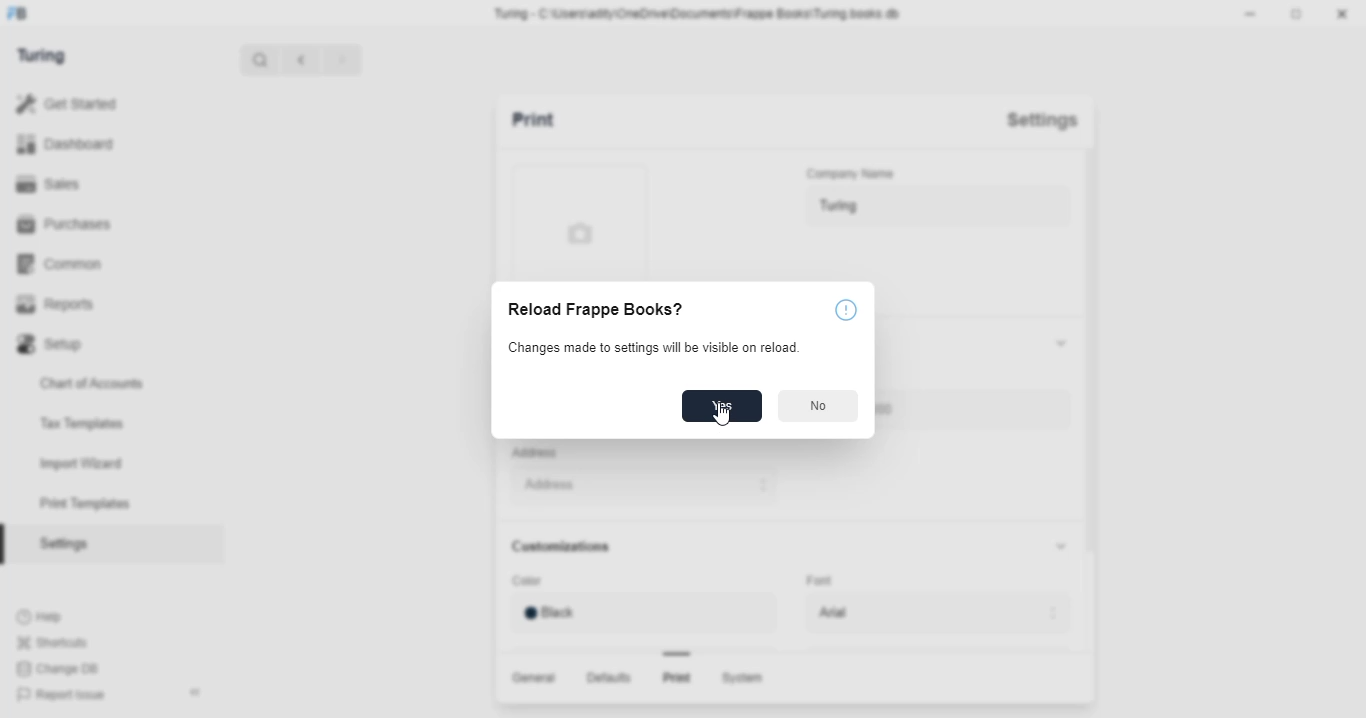  What do you see at coordinates (611, 679) in the screenshot?
I see `Defaults` at bounding box center [611, 679].